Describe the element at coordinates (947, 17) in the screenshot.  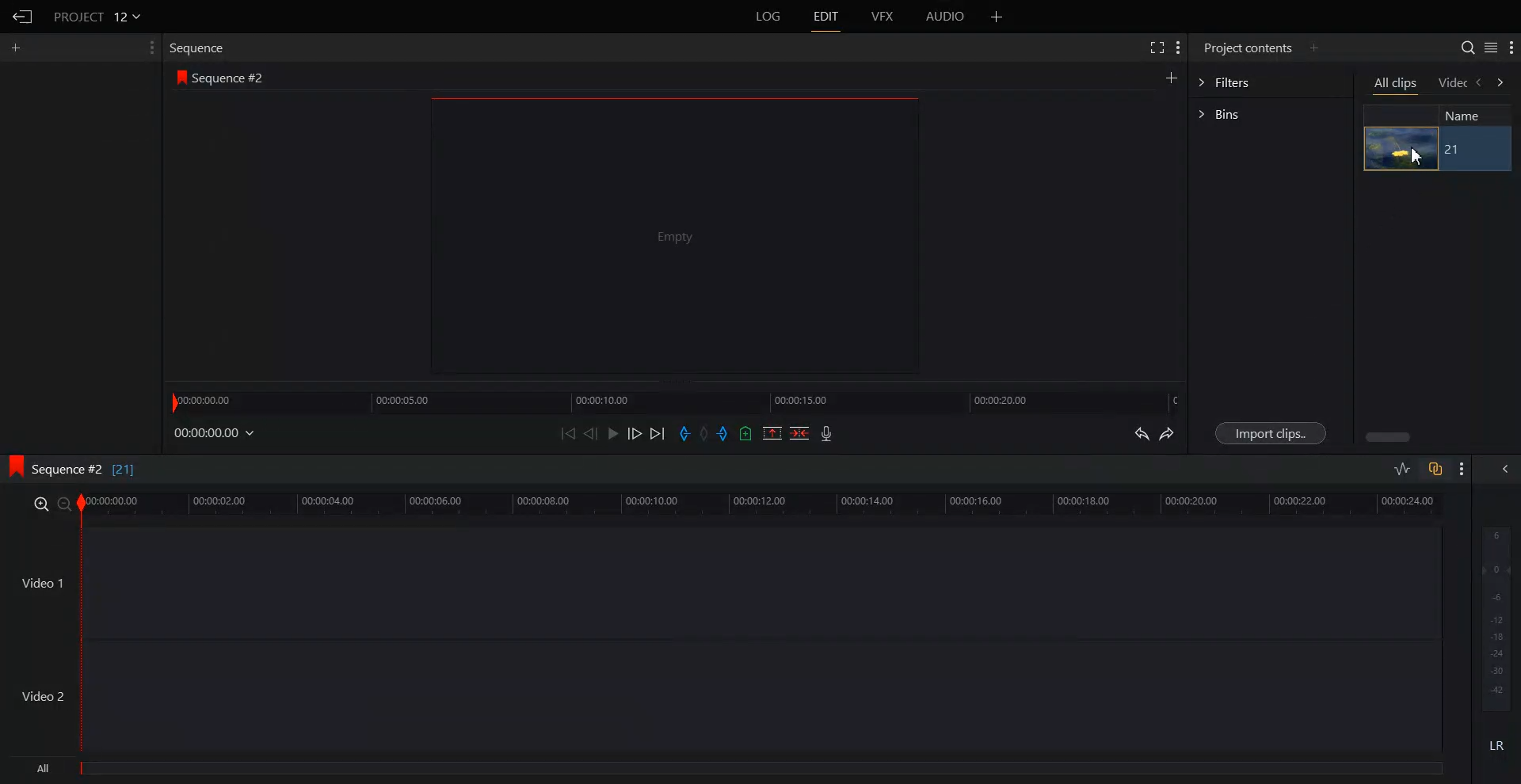
I see `Audio` at that location.